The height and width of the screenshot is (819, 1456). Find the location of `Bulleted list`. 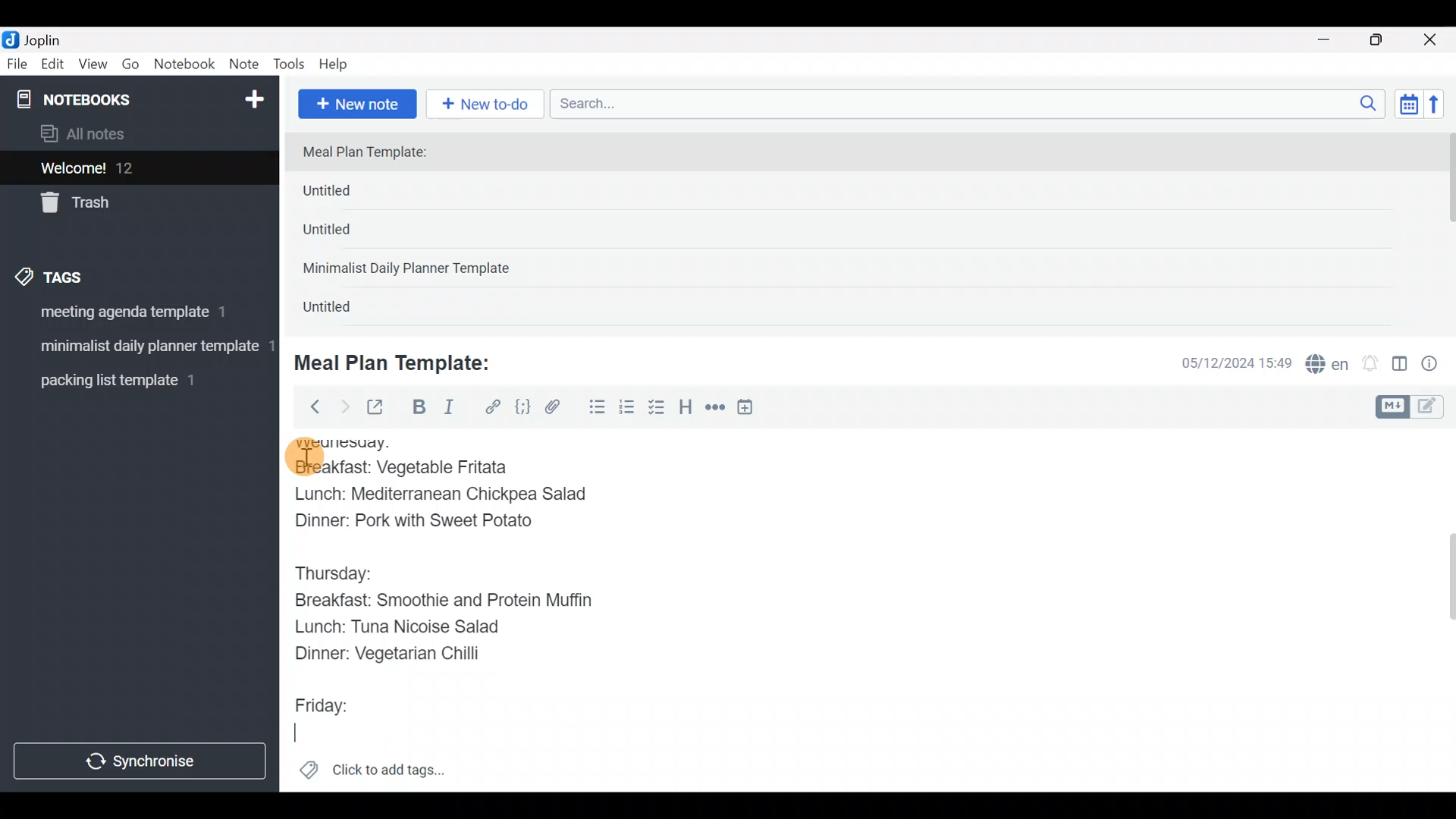

Bulleted list is located at coordinates (594, 408).